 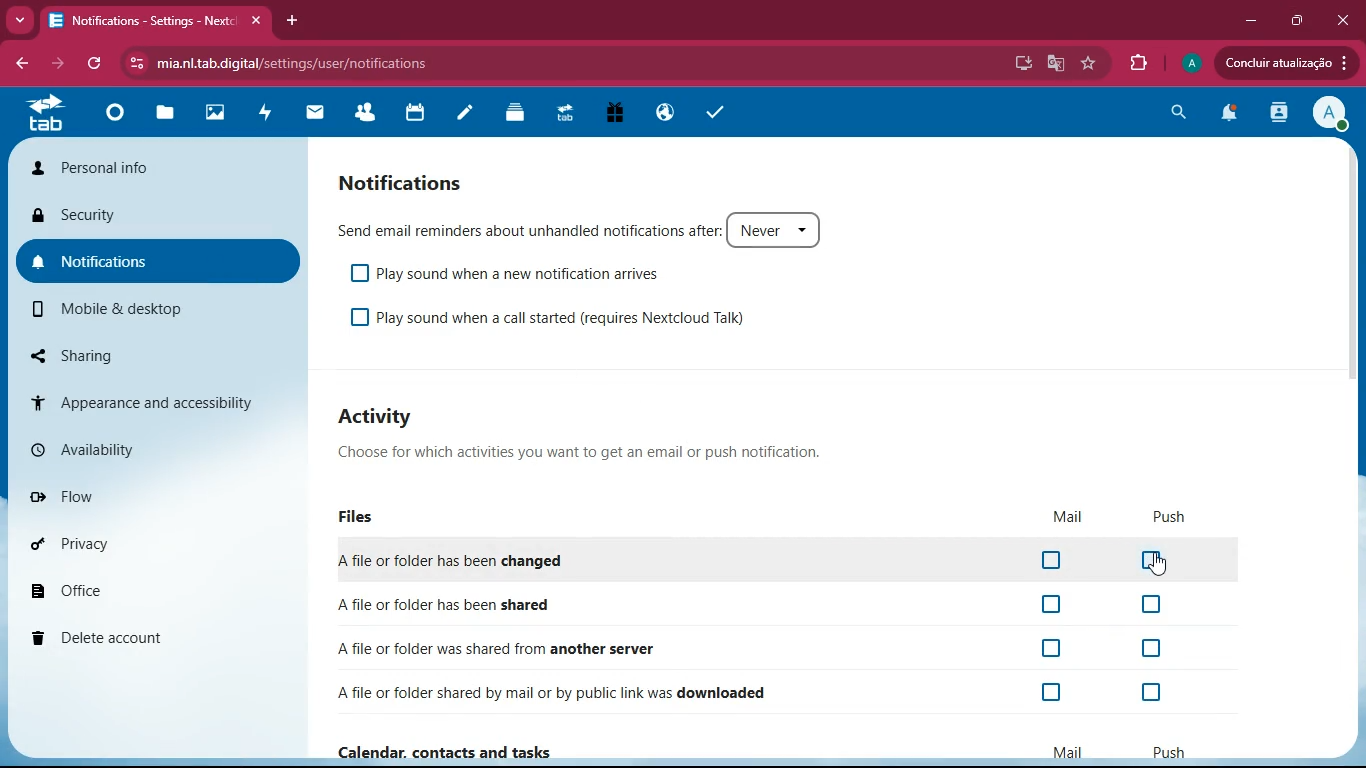 What do you see at coordinates (58, 63) in the screenshot?
I see `forward` at bounding box center [58, 63].